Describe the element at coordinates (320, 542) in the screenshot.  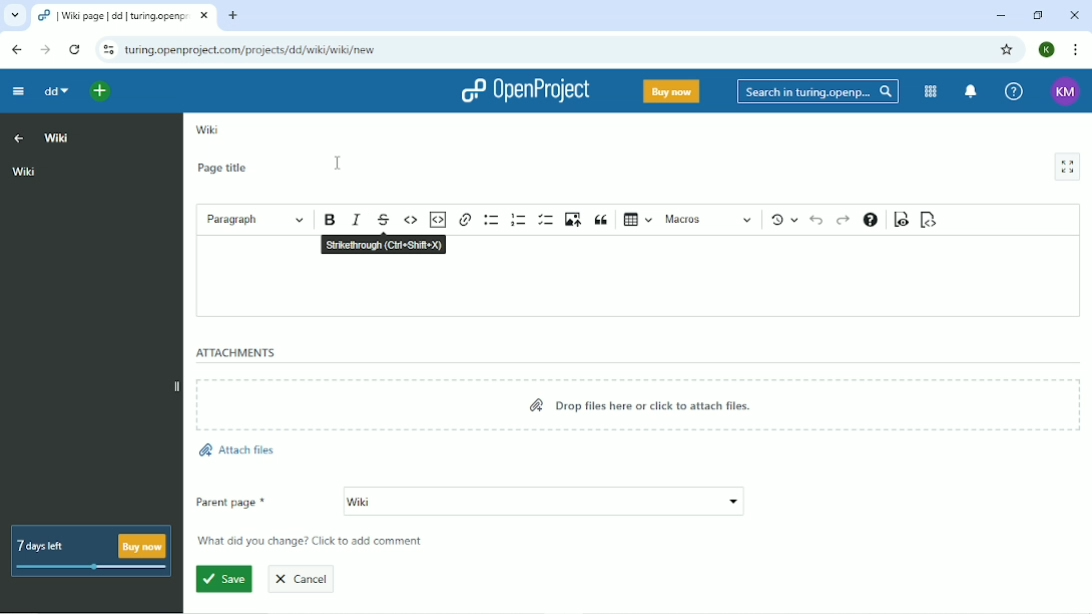
I see `What did you change? Click to add comment.` at that location.